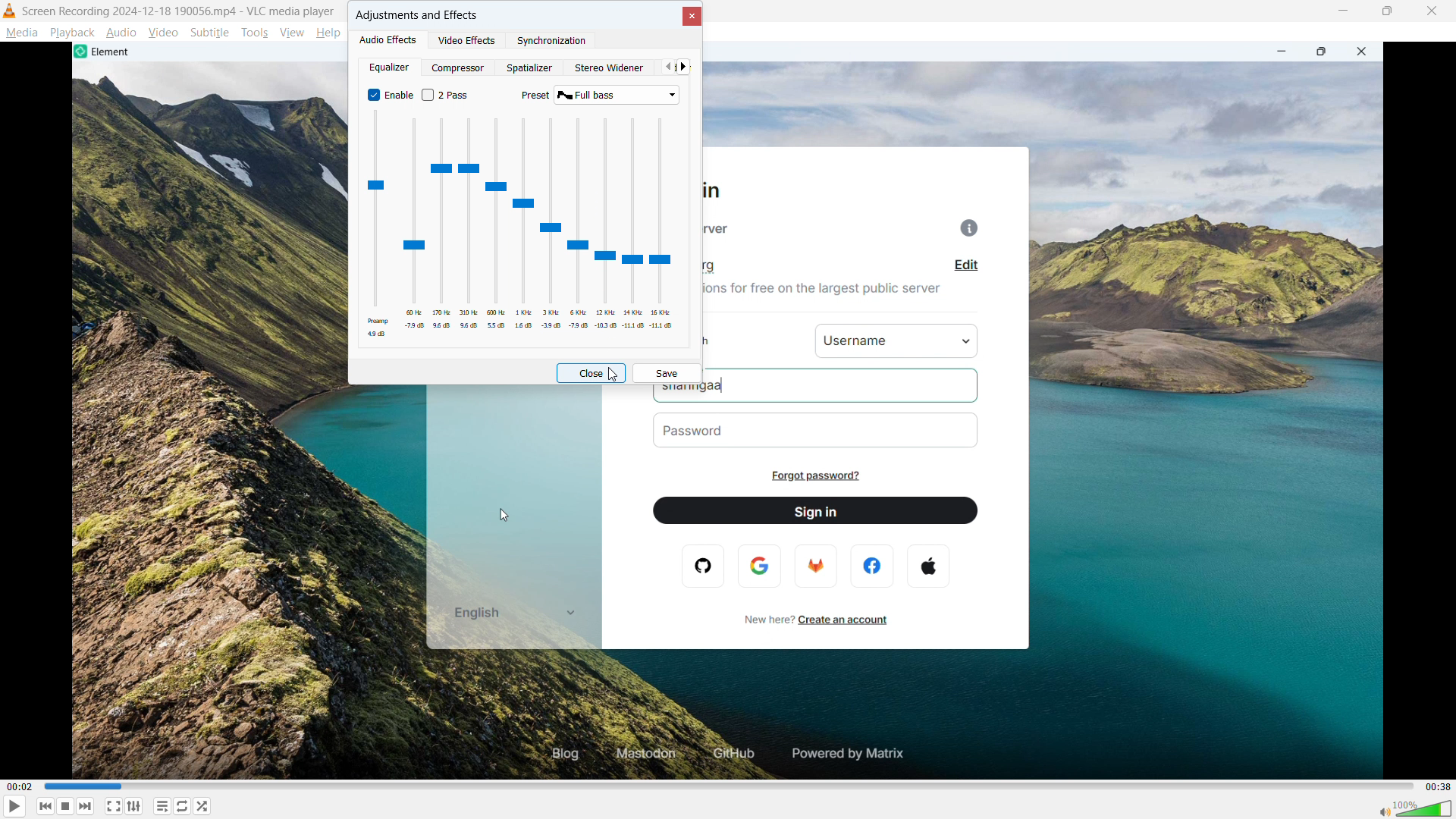  Describe the element at coordinates (469, 224) in the screenshot. I see `Adjust 310 Hz` at that location.